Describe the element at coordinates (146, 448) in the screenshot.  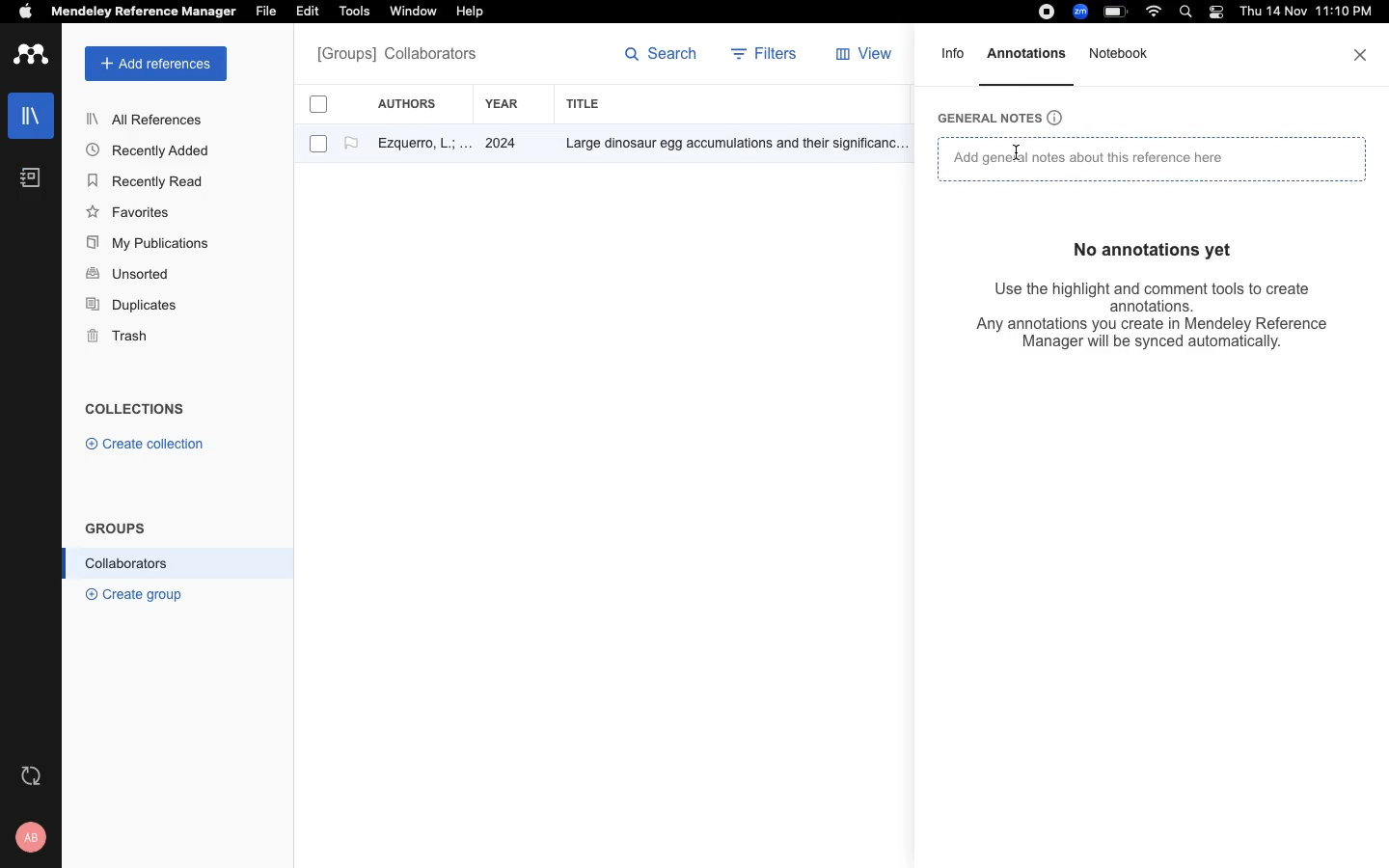
I see `© Create collection` at that location.